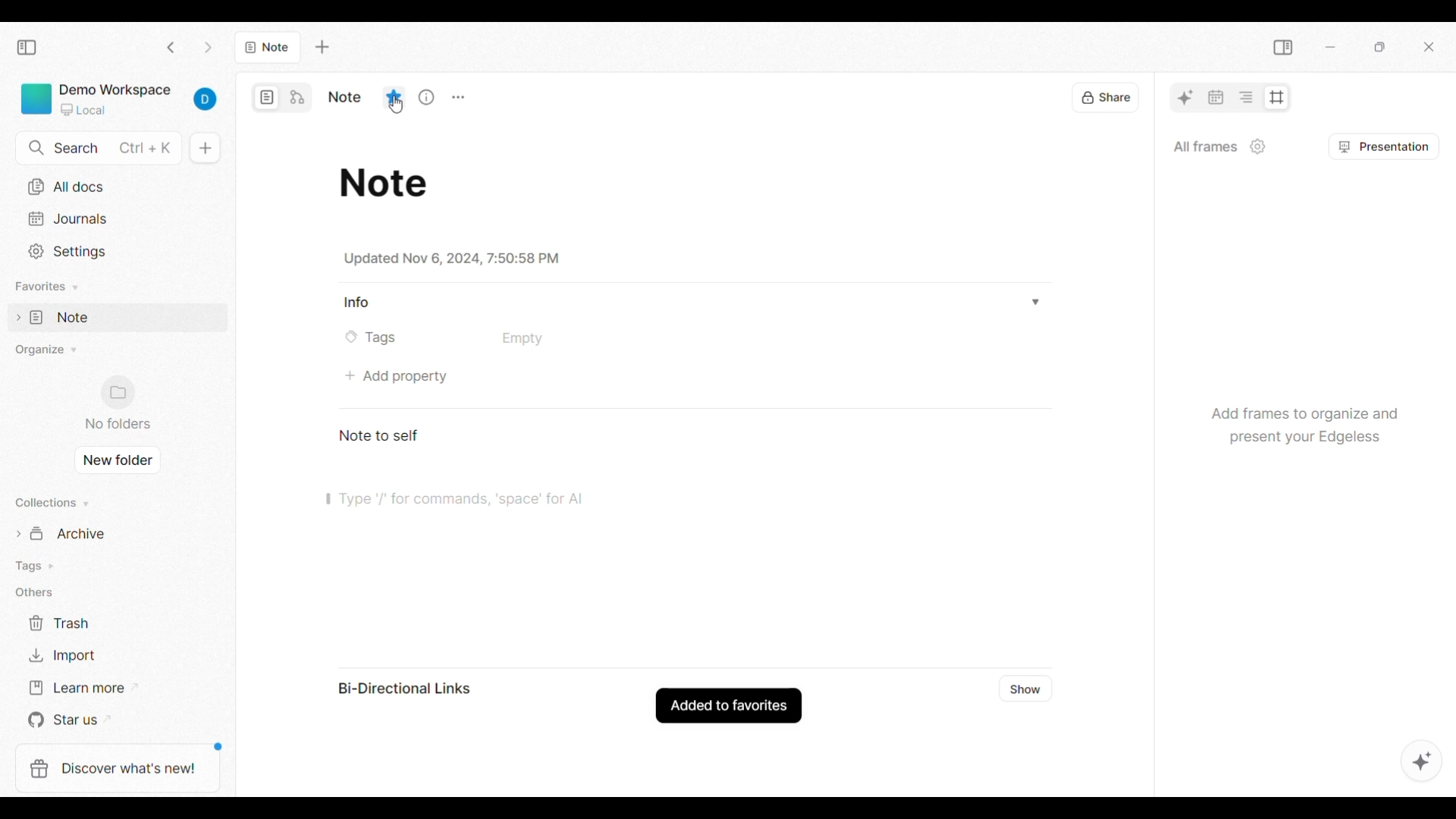 This screenshot has width=1456, height=819. What do you see at coordinates (1380, 47) in the screenshot?
I see `Show interface in smaller tab` at bounding box center [1380, 47].